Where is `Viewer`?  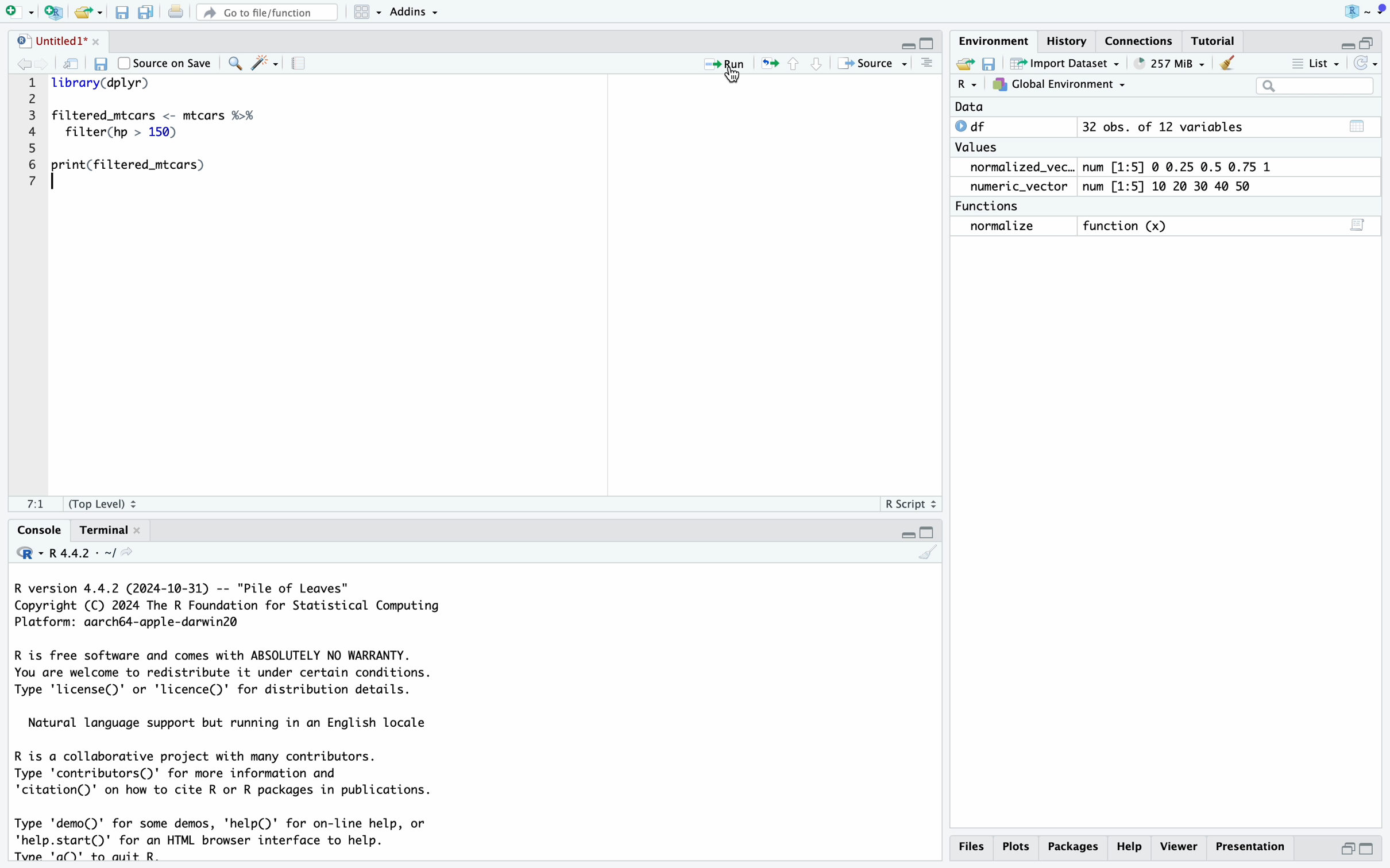
Viewer is located at coordinates (1179, 846).